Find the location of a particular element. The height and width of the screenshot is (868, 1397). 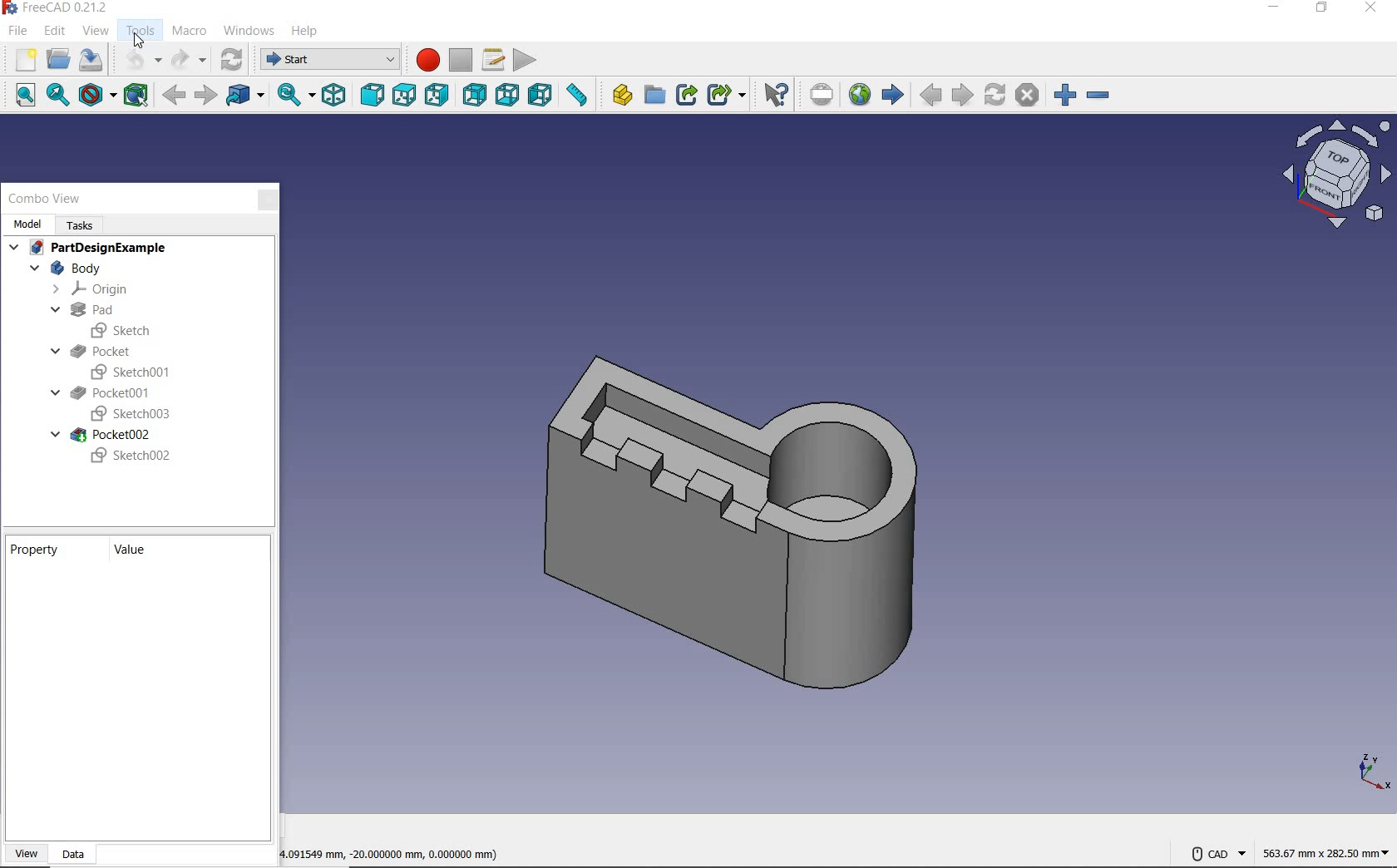

CAD navigation style is located at coordinates (1217, 854).